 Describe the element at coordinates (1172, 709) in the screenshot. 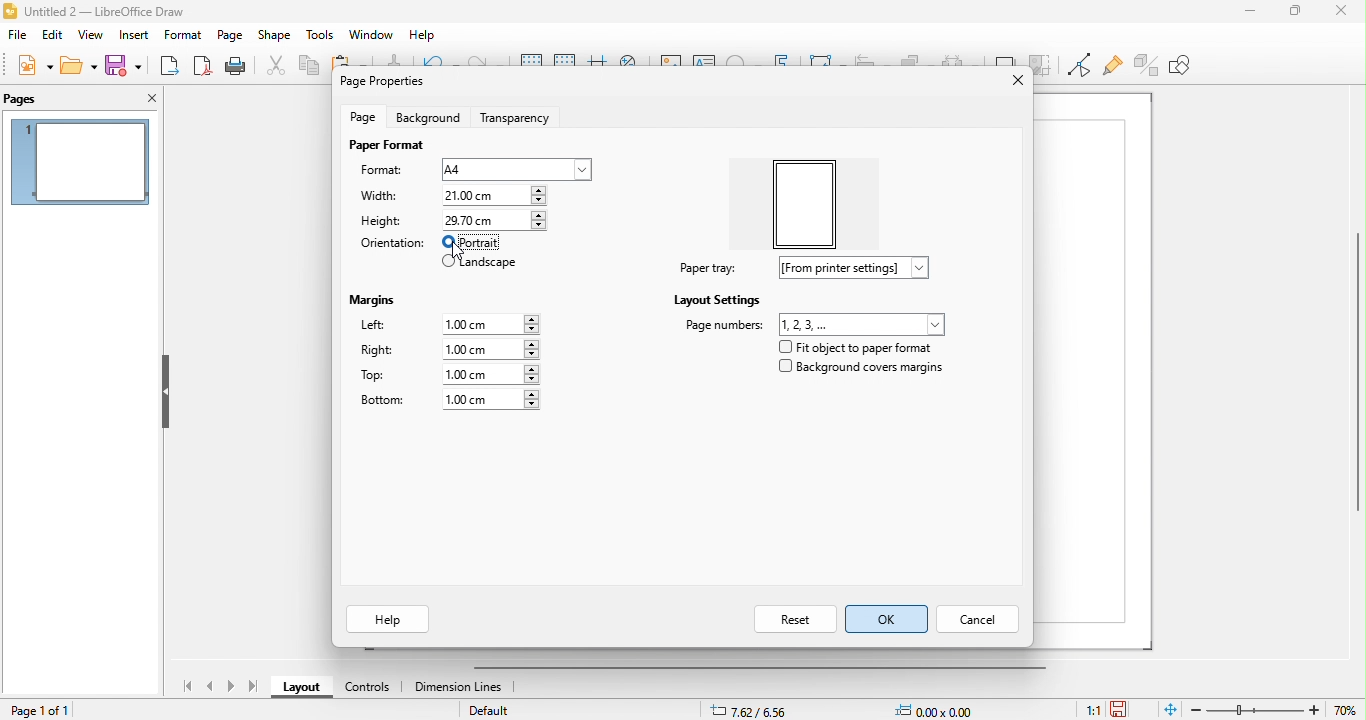

I see `fit page to current window` at that location.